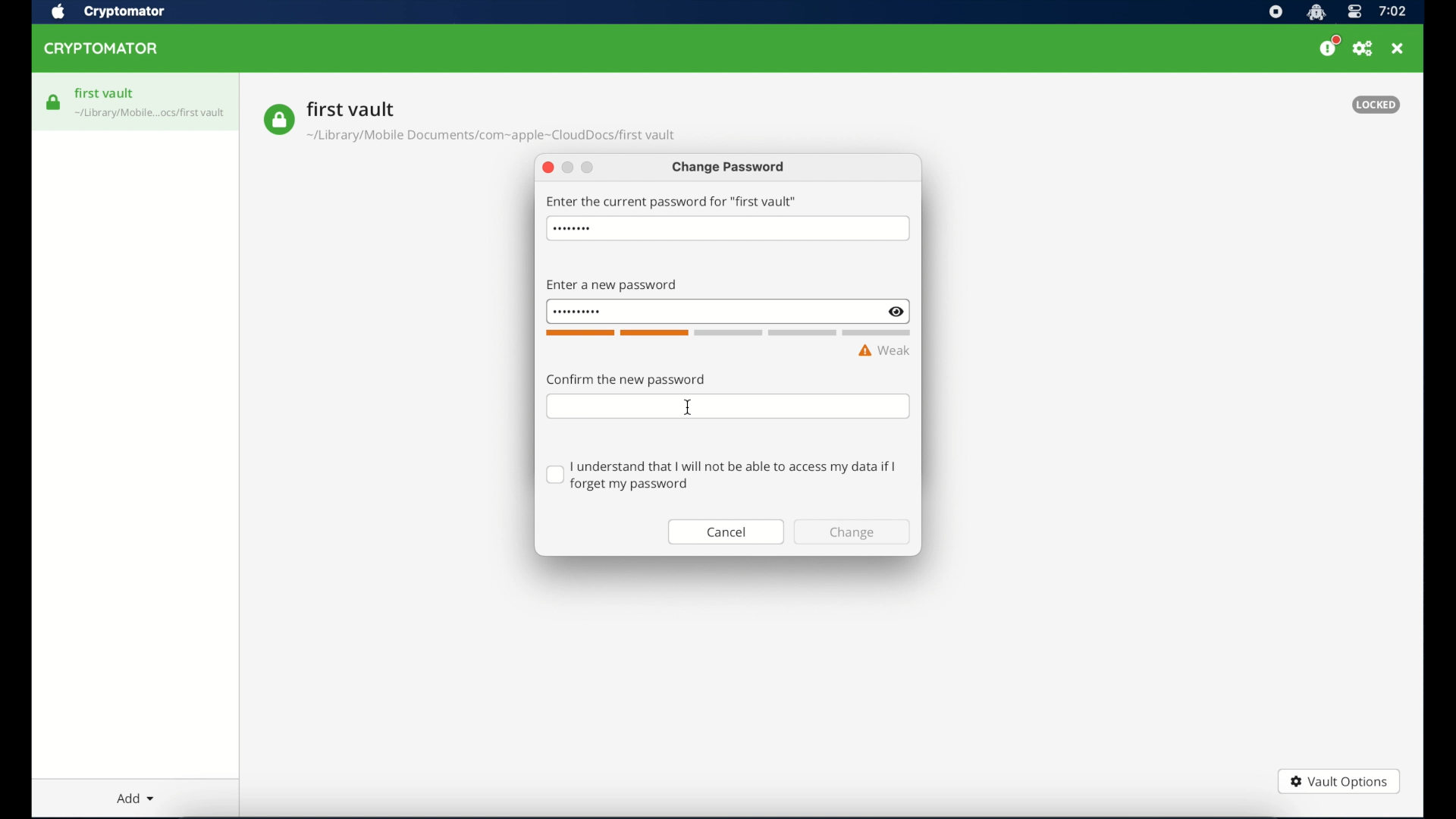  I want to click on cancel, so click(726, 532).